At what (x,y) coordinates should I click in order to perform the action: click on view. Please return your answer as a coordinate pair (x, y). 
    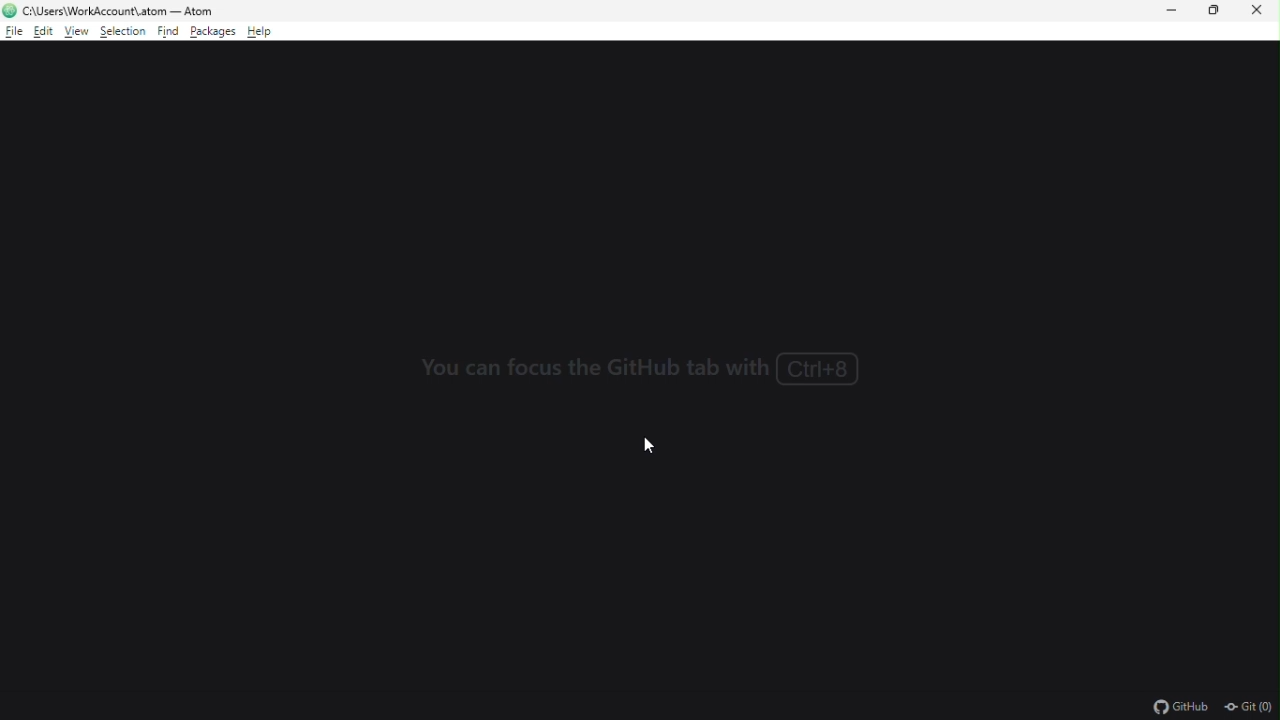
    Looking at the image, I should click on (78, 32).